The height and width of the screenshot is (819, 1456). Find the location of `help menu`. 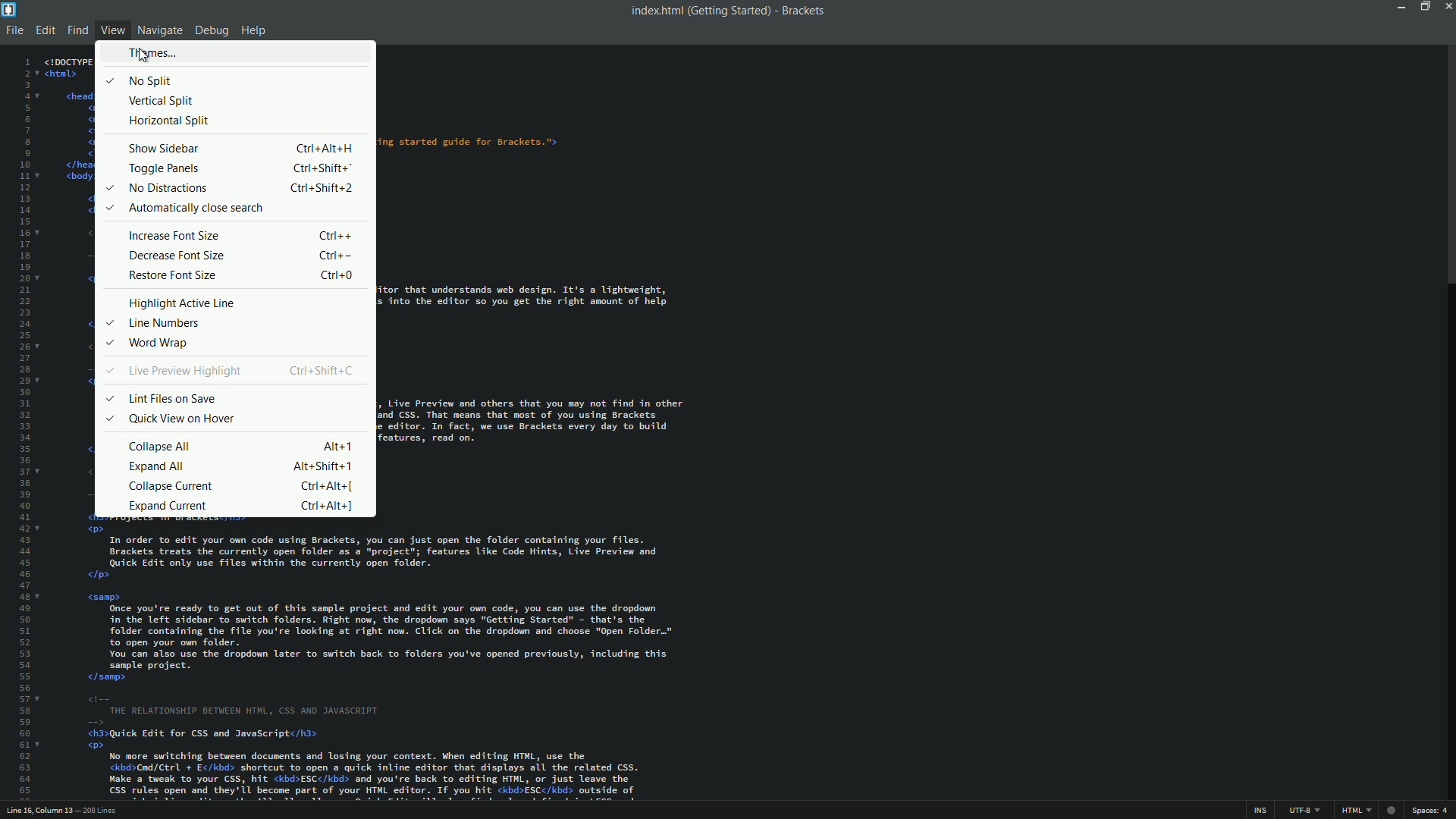

help menu is located at coordinates (254, 32).